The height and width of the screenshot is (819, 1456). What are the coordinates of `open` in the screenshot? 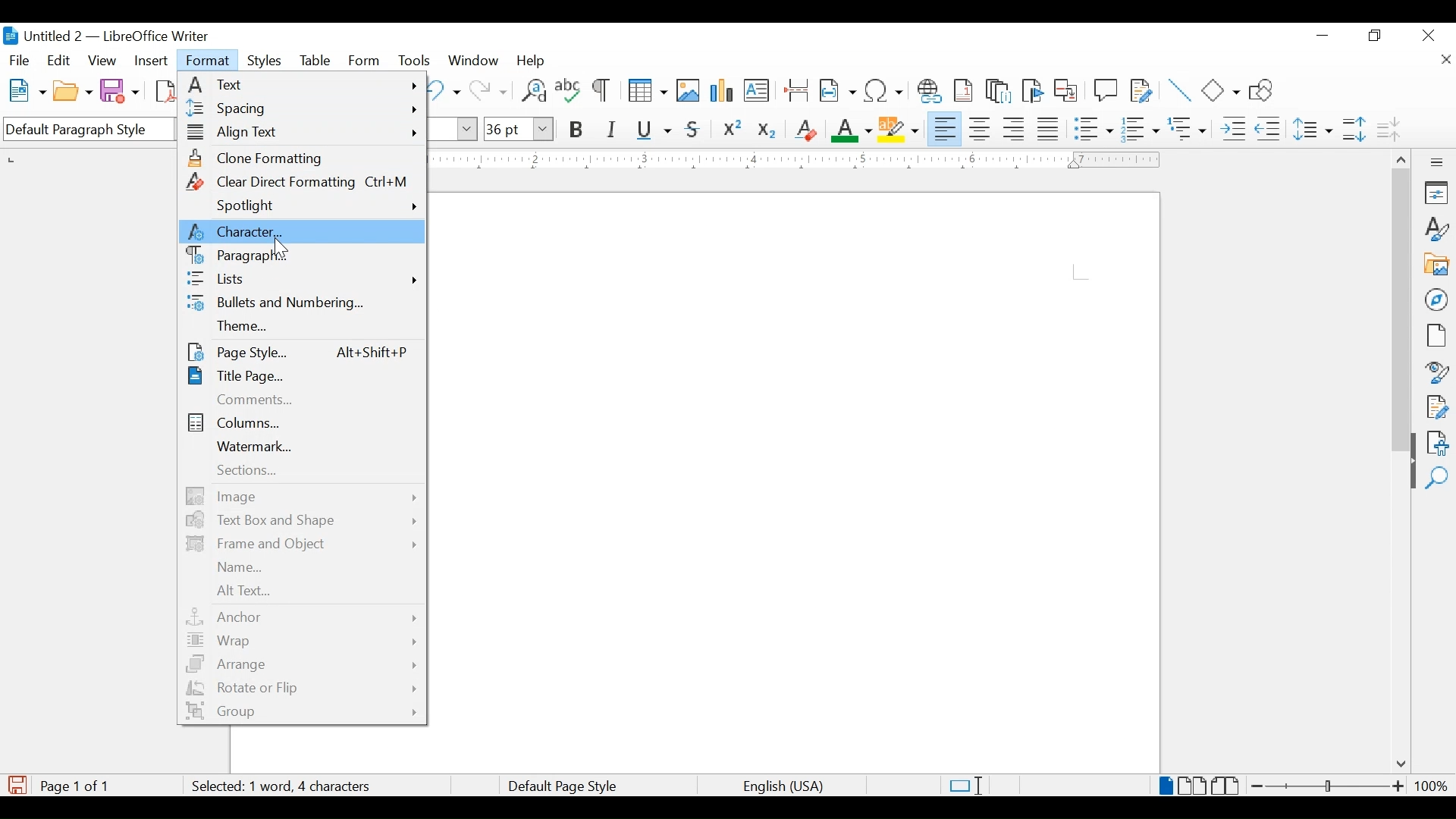 It's located at (72, 92).